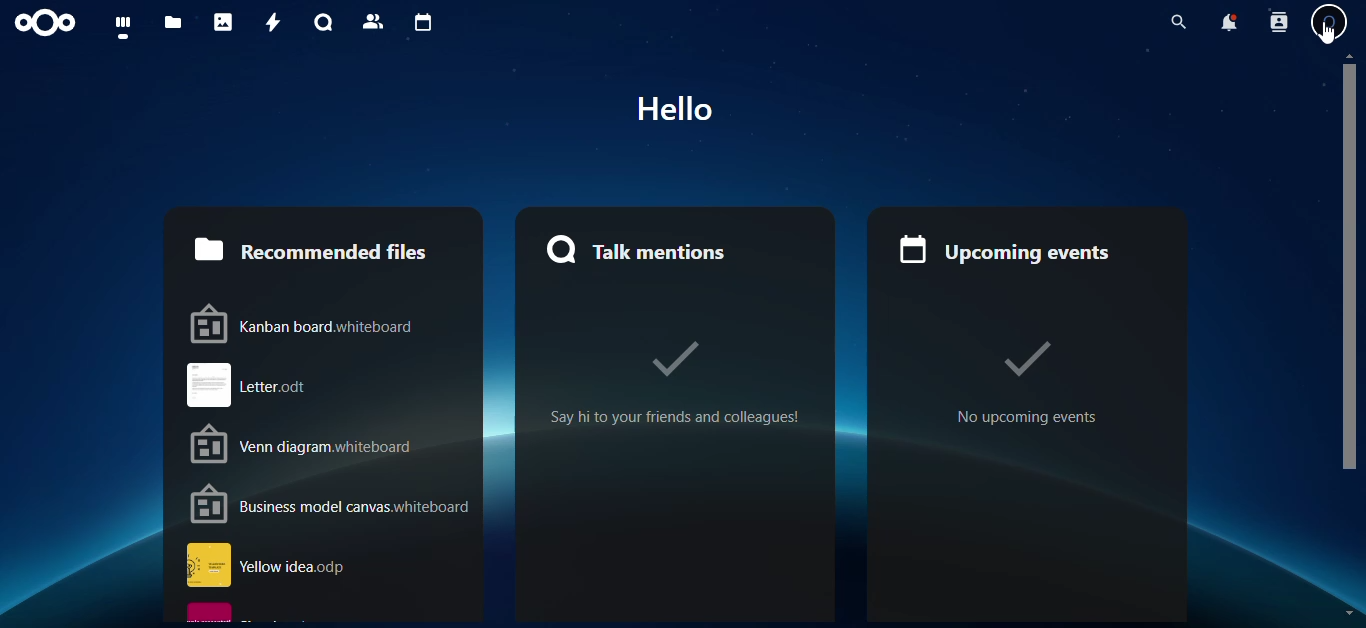 Image resolution: width=1366 pixels, height=628 pixels. Describe the element at coordinates (332, 323) in the screenshot. I see `Kanban board.whiteboard` at that location.